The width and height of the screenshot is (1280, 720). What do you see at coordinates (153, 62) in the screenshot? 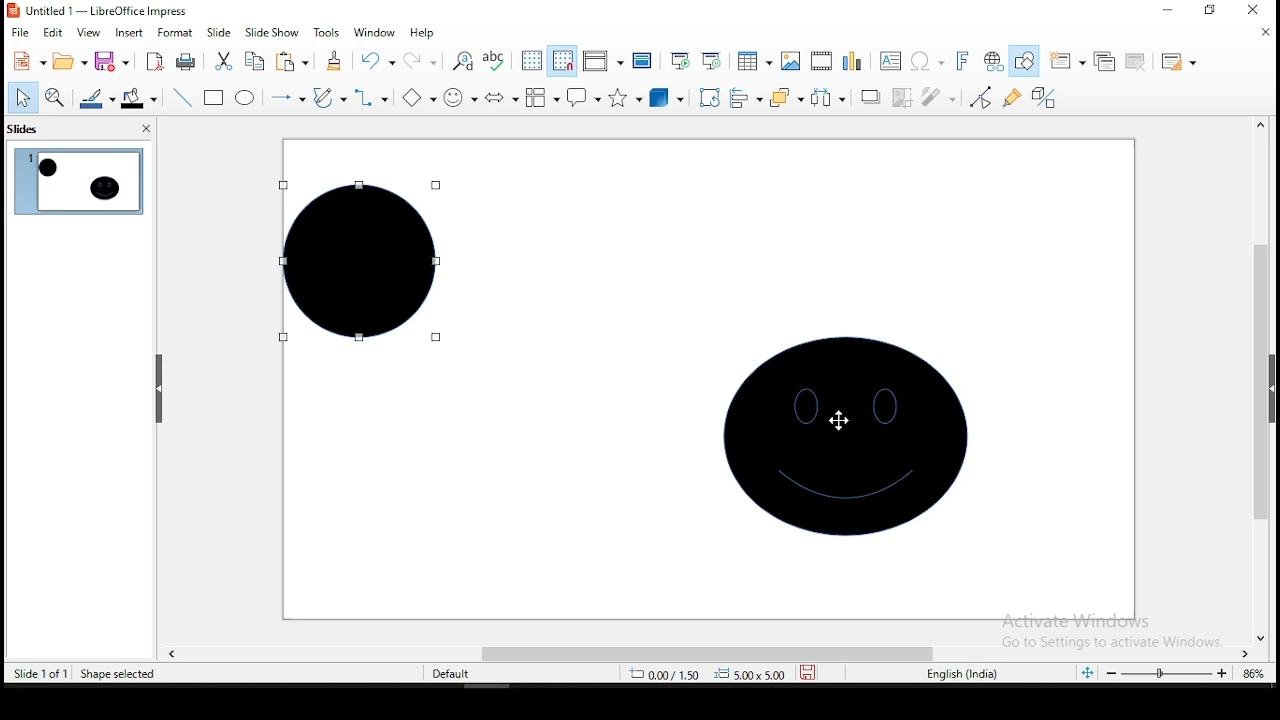
I see `export as PDF` at bounding box center [153, 62].